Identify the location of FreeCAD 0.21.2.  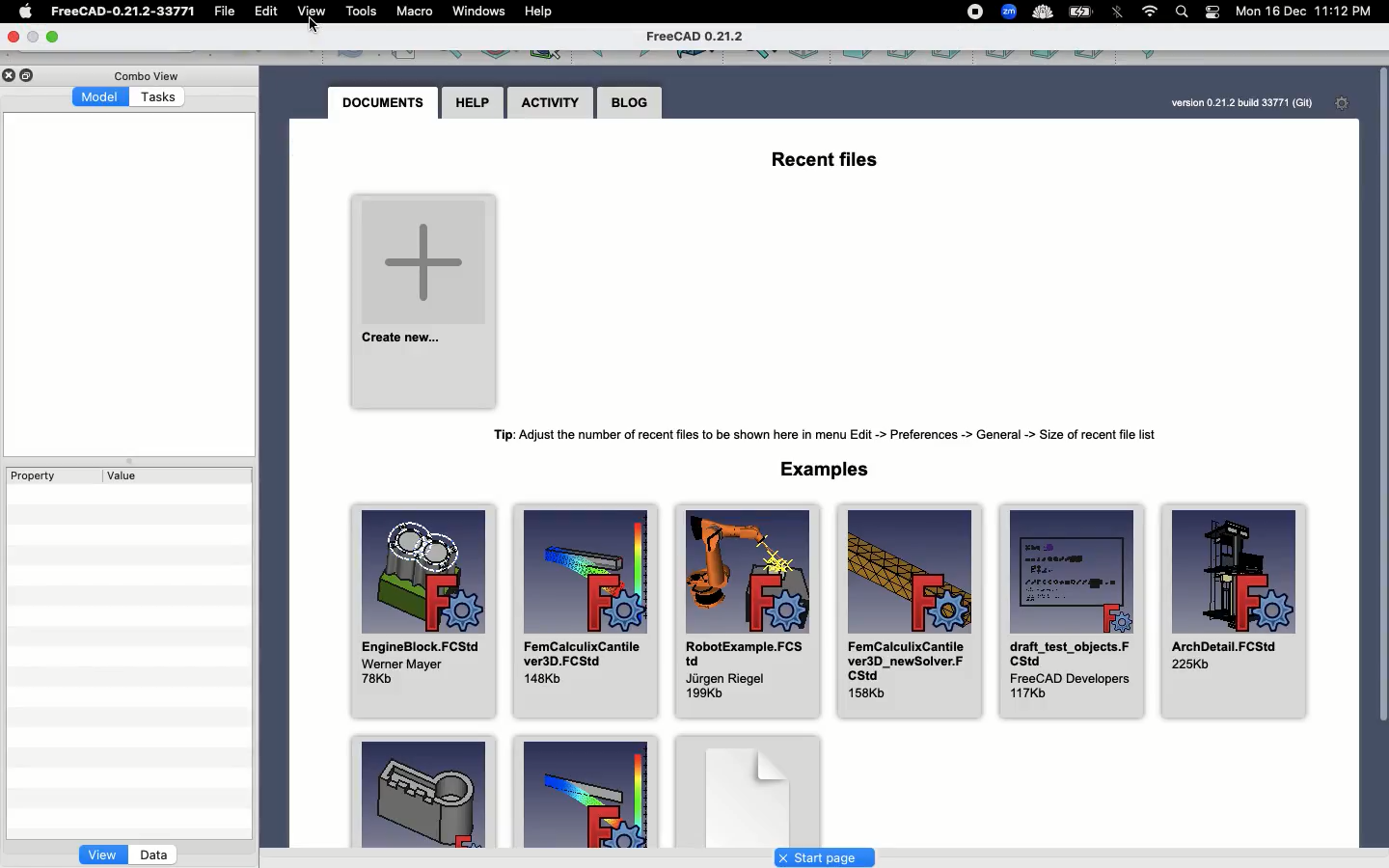
(696, 38).